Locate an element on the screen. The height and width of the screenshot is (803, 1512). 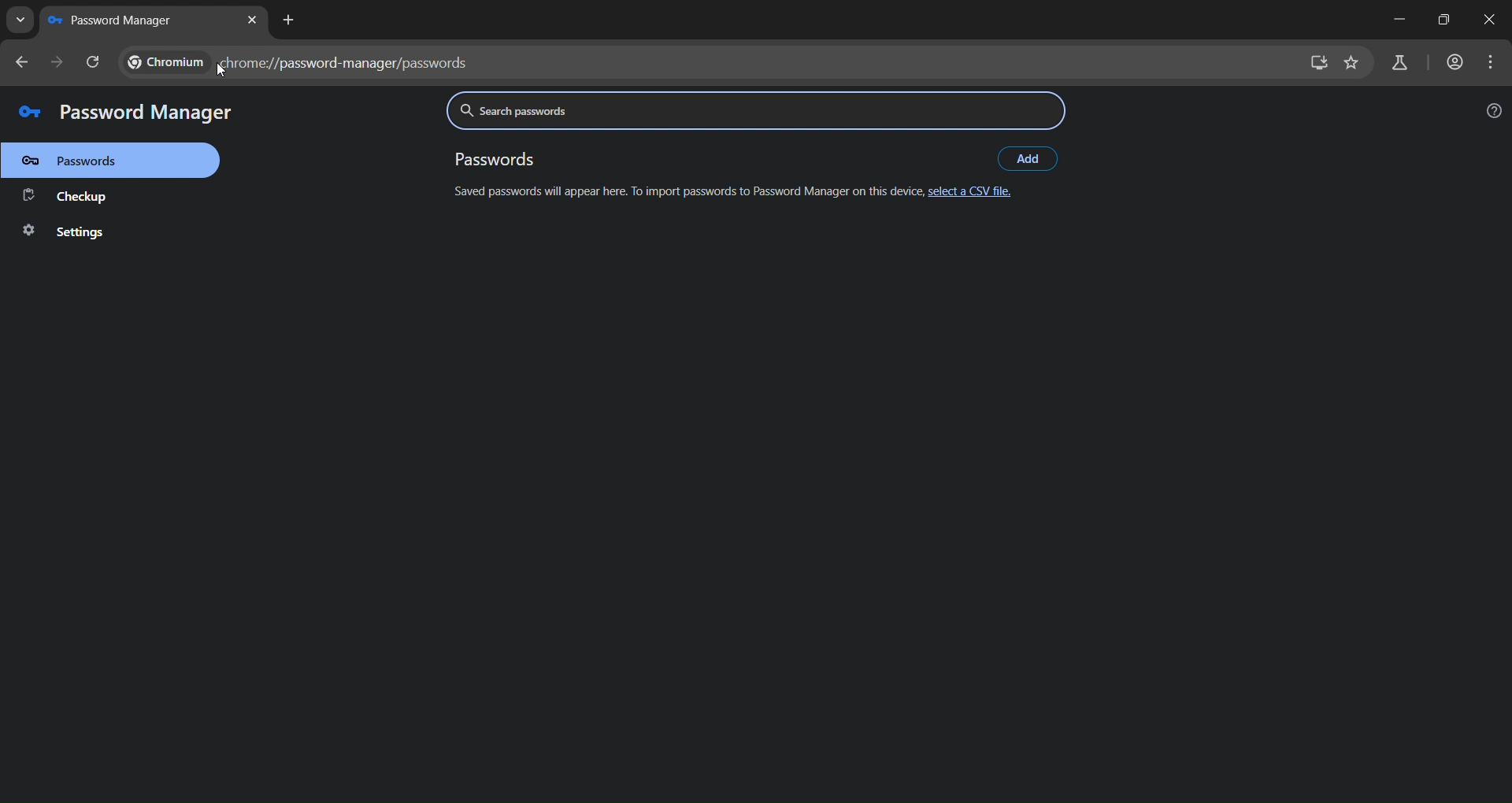
select a CSV file. is located at coordinates (973, 194).